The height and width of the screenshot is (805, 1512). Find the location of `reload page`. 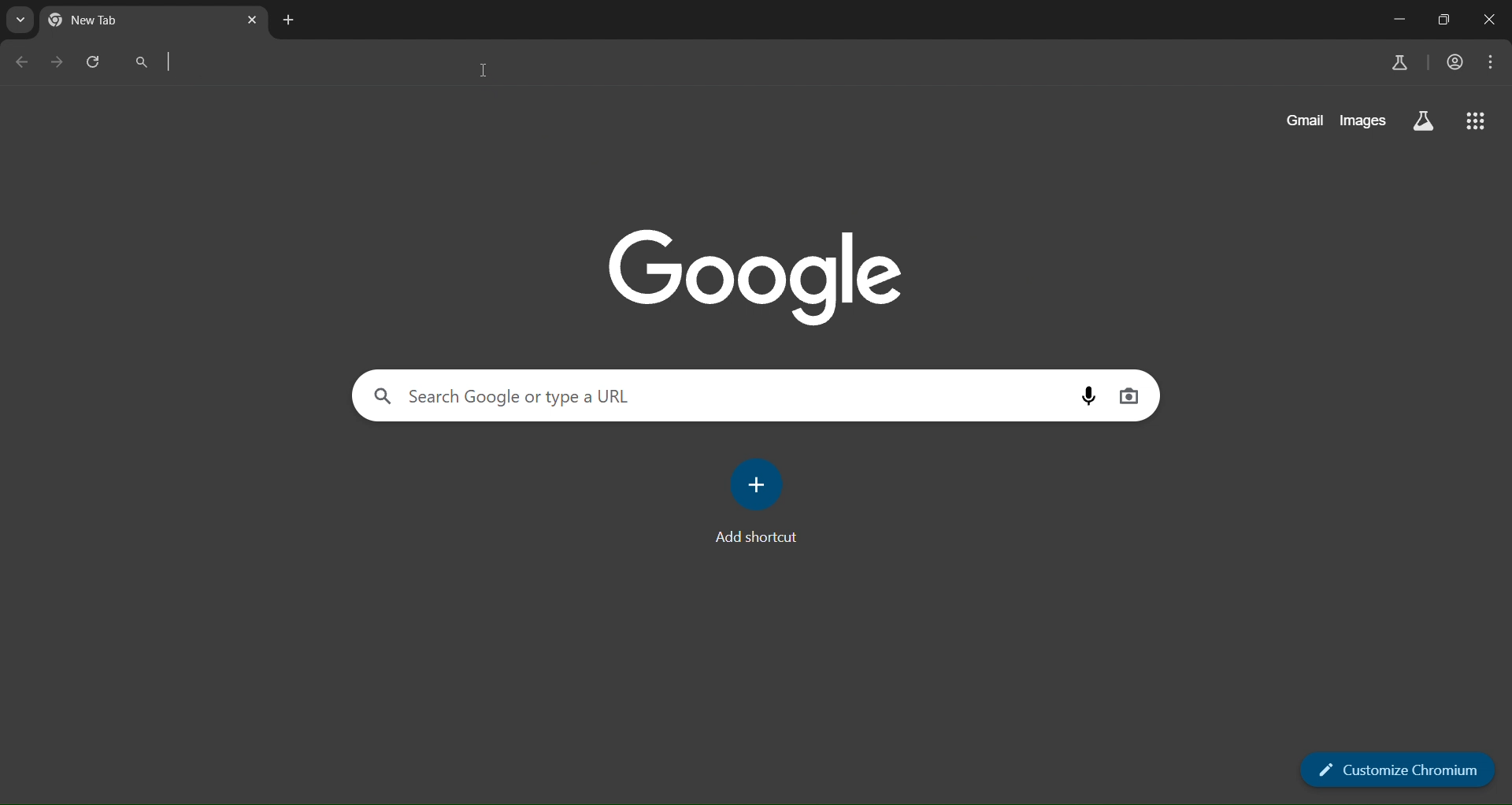

reload page is located at coordinates (94, 61).